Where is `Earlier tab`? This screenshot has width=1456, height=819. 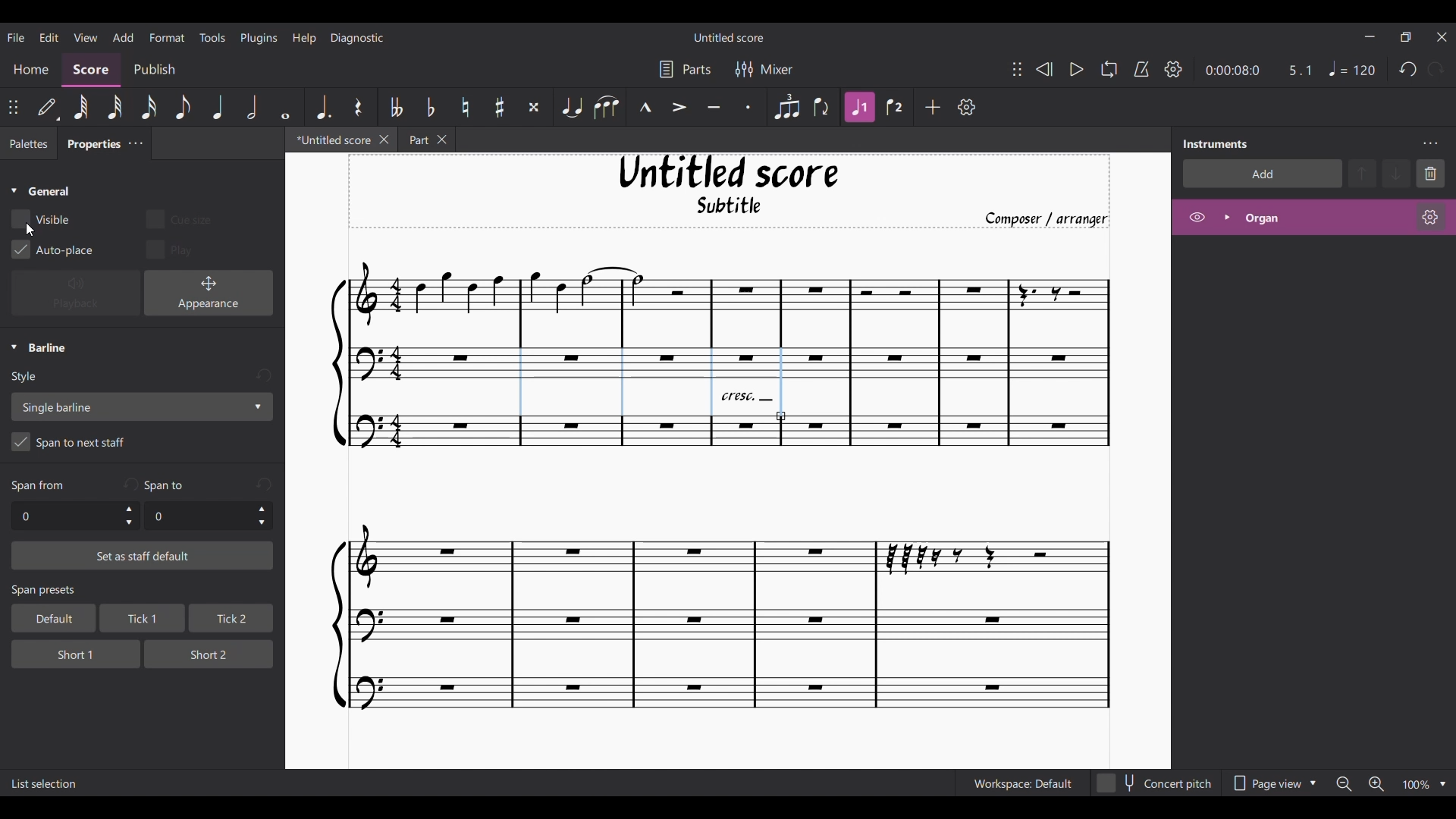
Earlier tab is located at coordinates (427, 141).